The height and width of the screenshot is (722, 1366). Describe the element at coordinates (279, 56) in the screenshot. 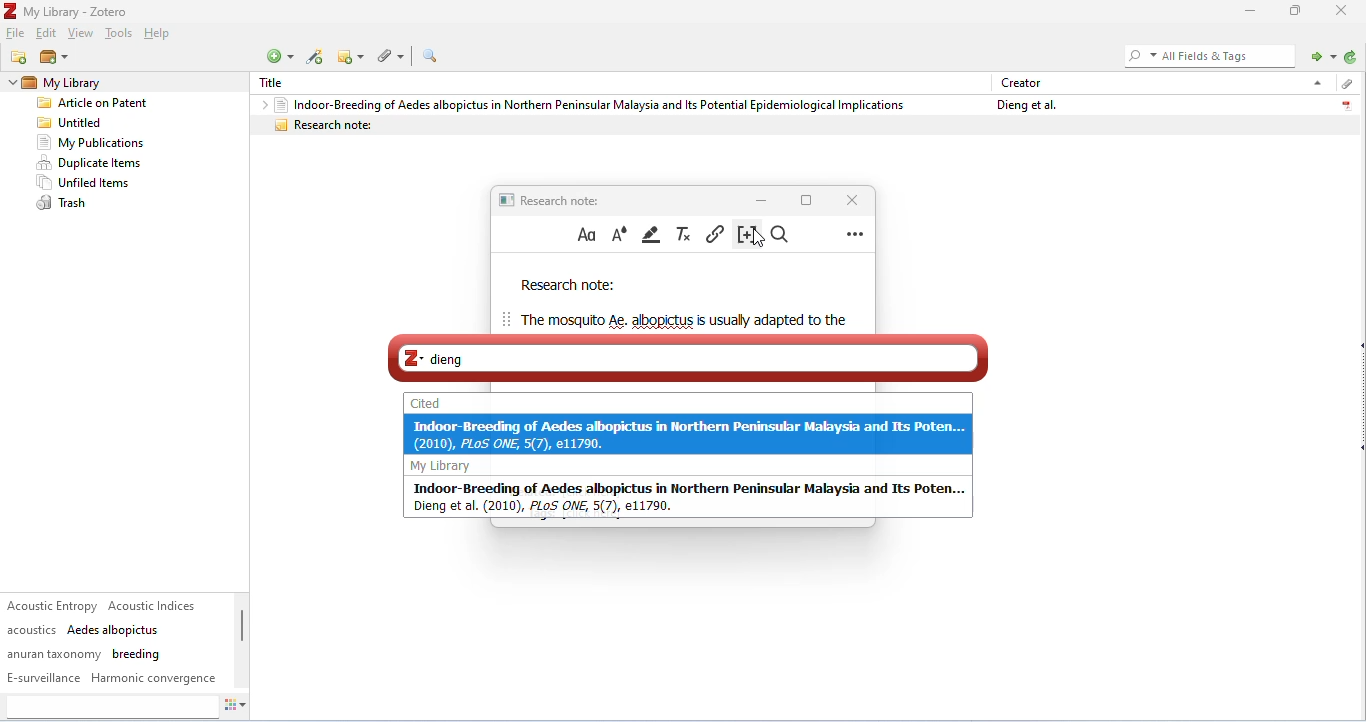

I see `new item` at that location.